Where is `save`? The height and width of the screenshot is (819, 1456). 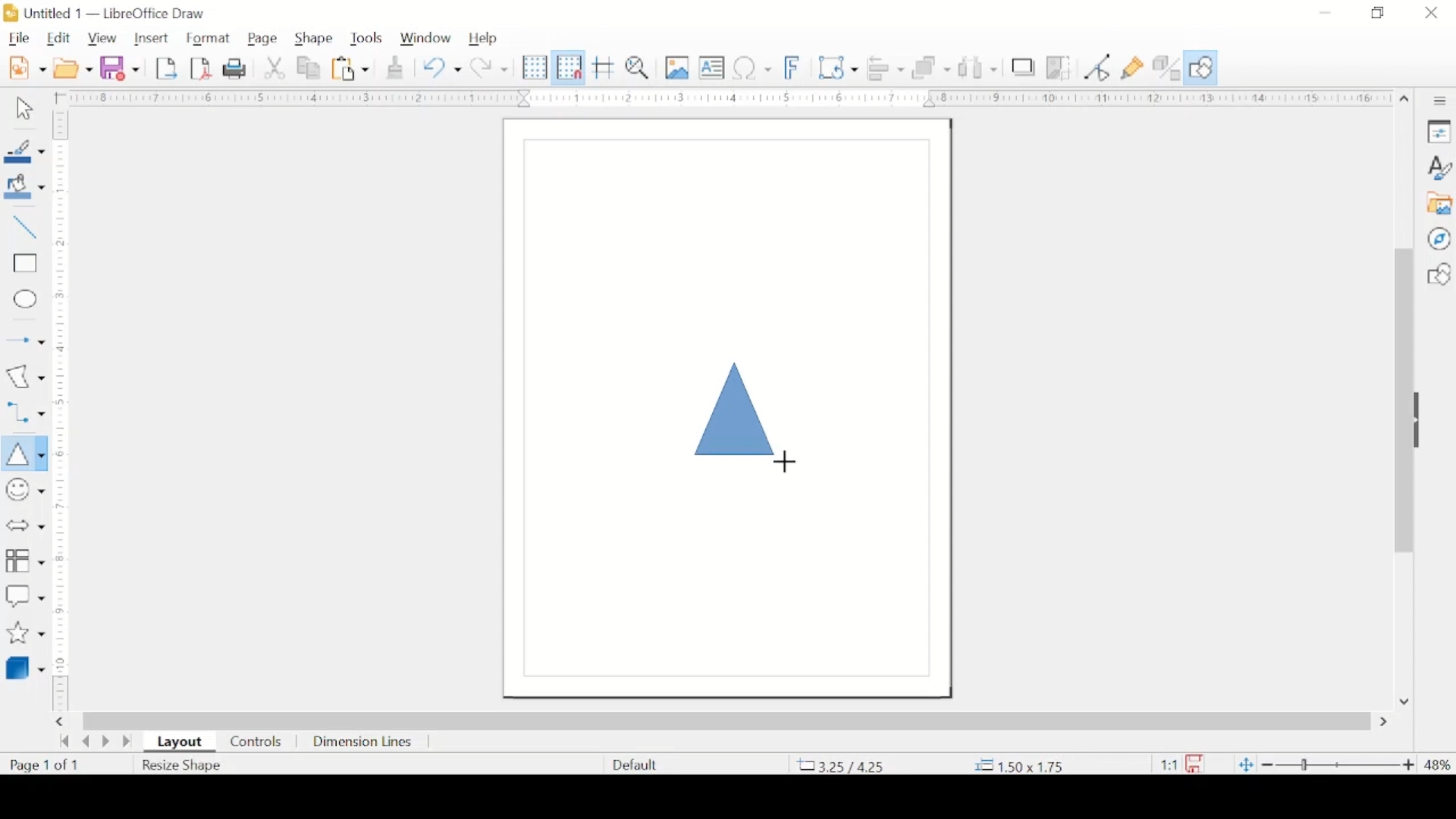 save is located at coordinates (121, 67).